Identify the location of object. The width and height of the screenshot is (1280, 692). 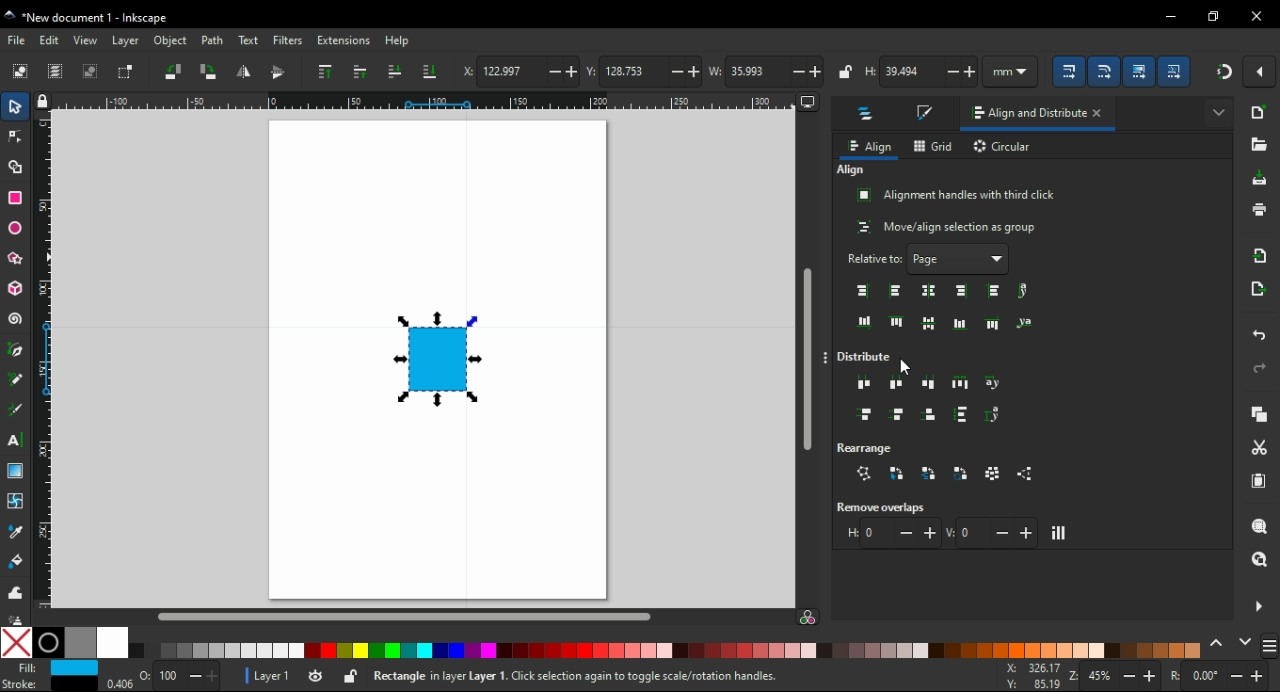
(169, 40).